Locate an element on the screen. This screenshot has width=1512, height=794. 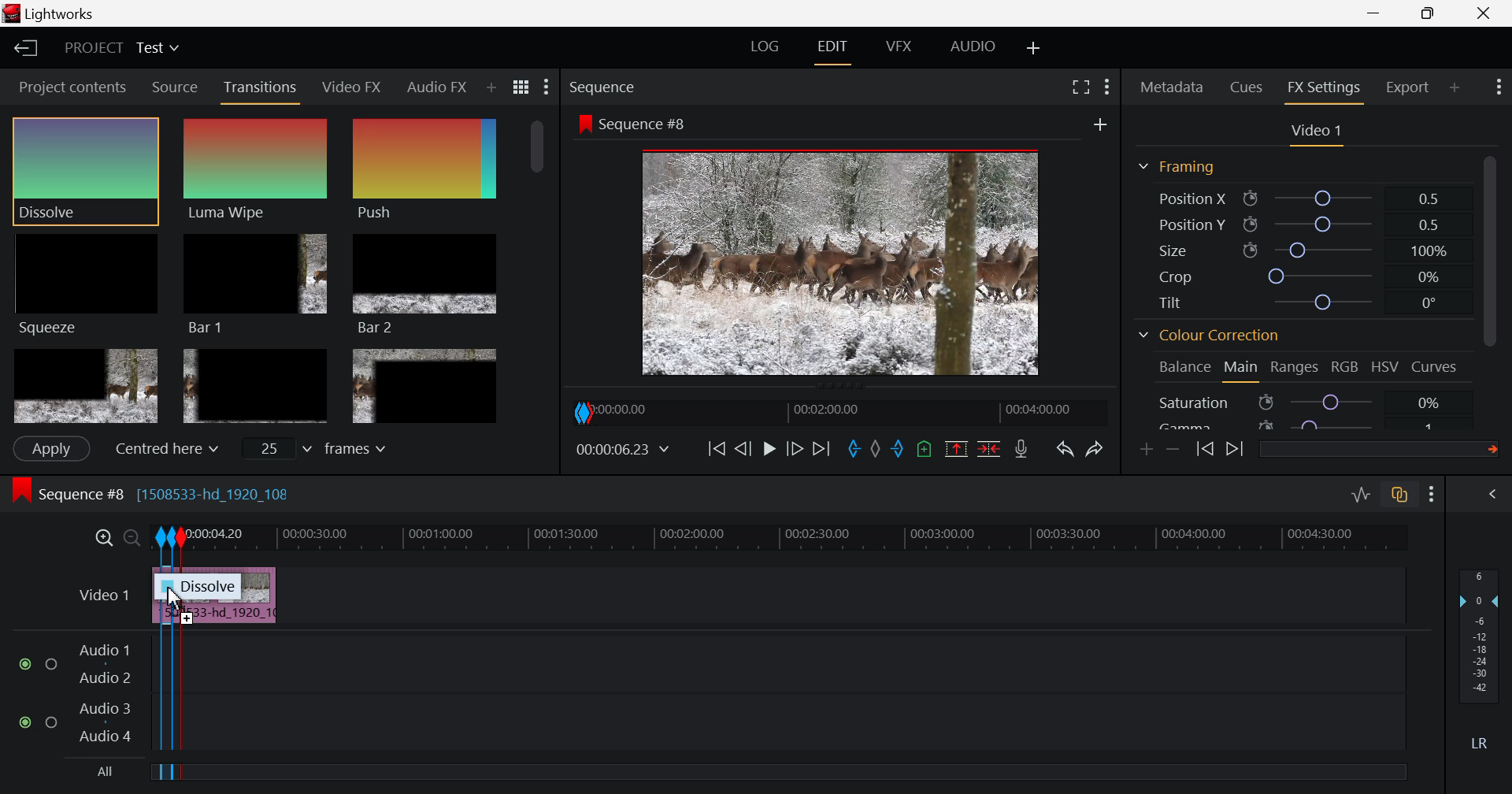
Scroll Bar is located at coordinates (1496, 284).